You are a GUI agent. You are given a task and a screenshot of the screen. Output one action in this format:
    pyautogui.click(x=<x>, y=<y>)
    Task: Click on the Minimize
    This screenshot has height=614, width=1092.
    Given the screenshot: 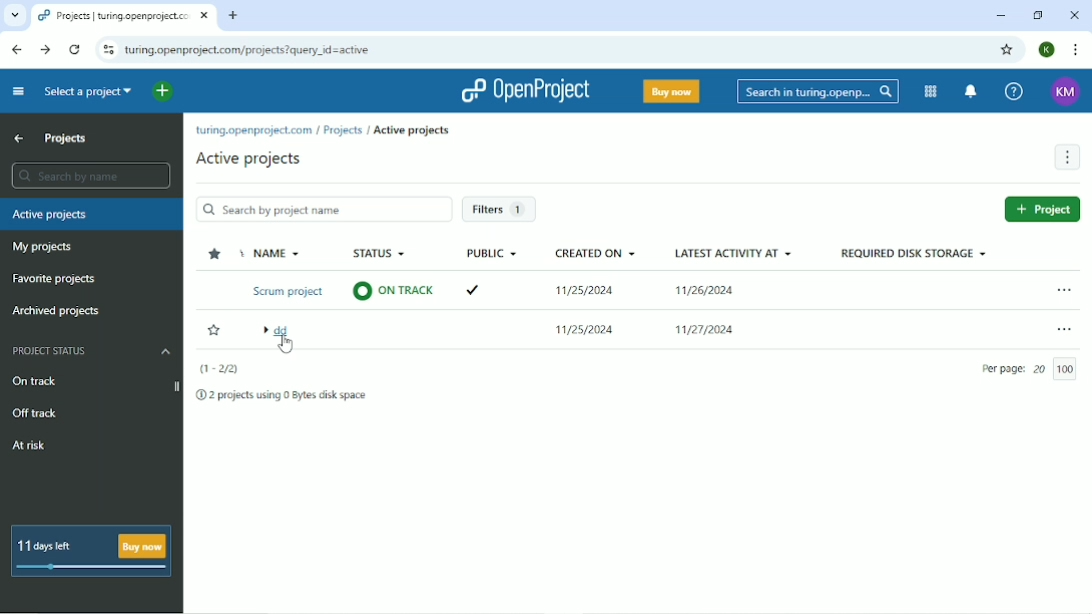 What is the action you would take?
    pyautogui.click(x=1000, y=15)
    